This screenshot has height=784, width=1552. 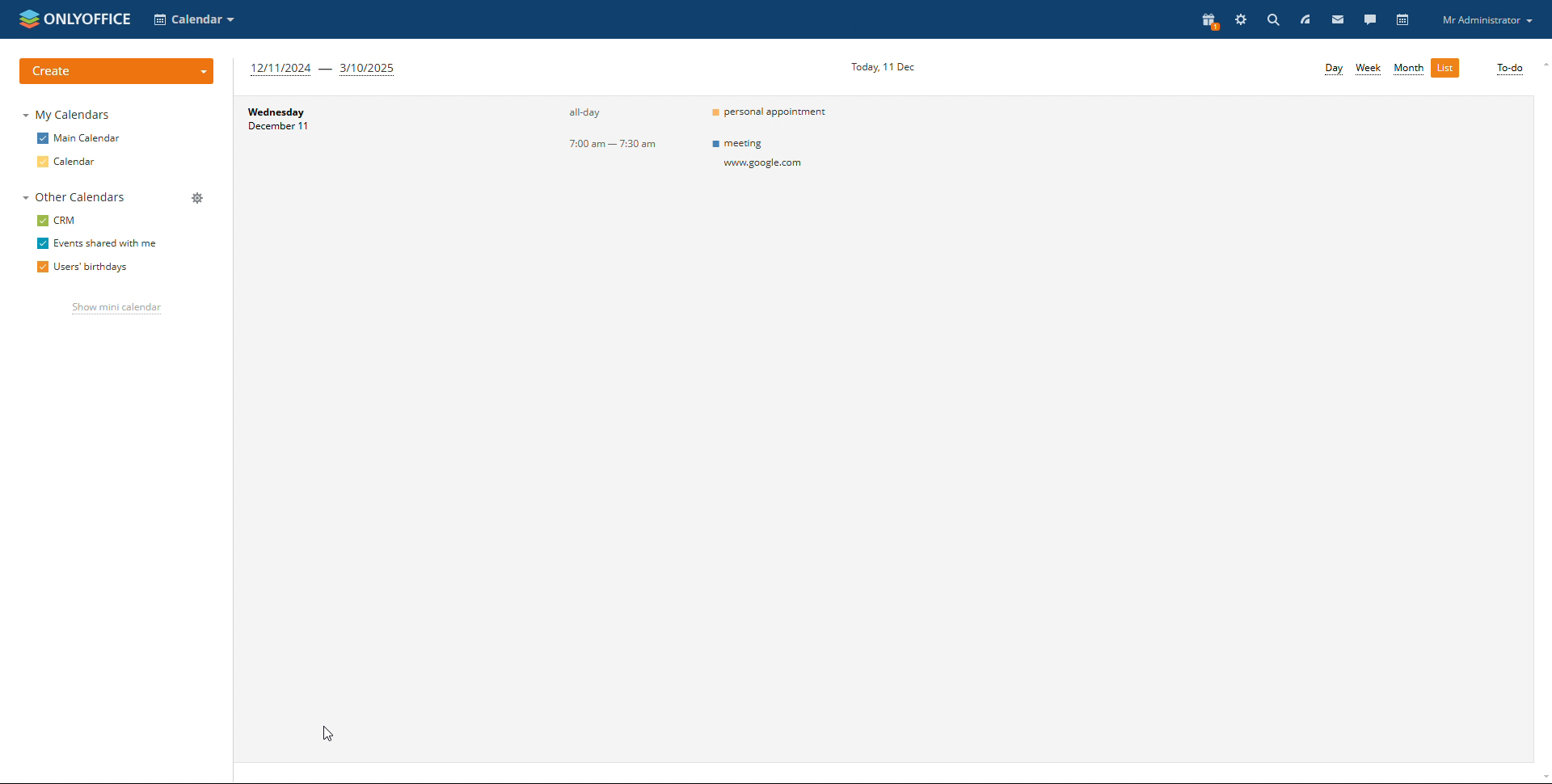 What do you see at coordinates (325, 70) in the screenshot?
I see `next three months` at bounding box center [325, 70].